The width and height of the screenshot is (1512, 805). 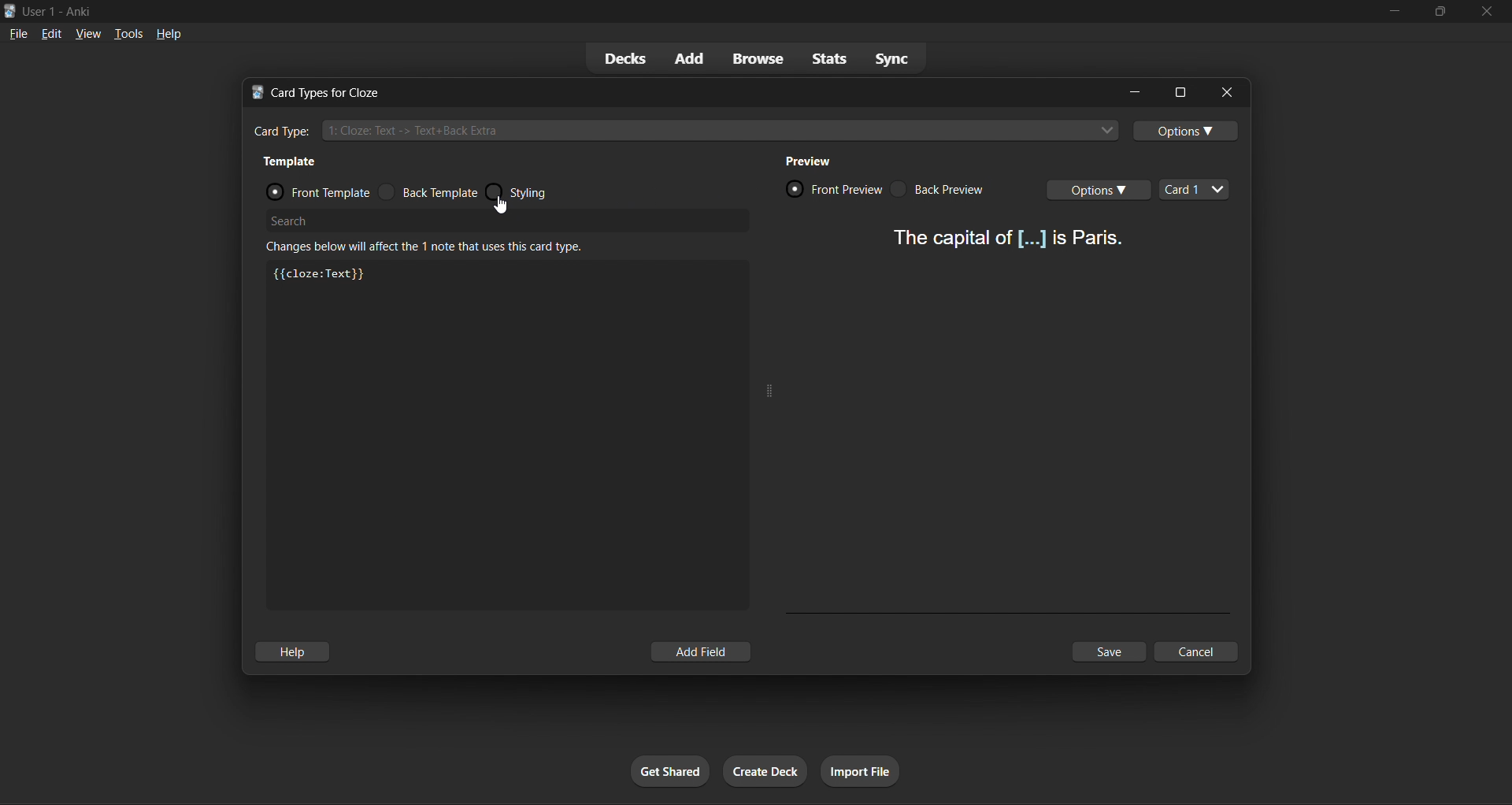 What do you see at coordinates (510, 226) in the screenshot?
I see `search bar` at bounding box center [510, 226].